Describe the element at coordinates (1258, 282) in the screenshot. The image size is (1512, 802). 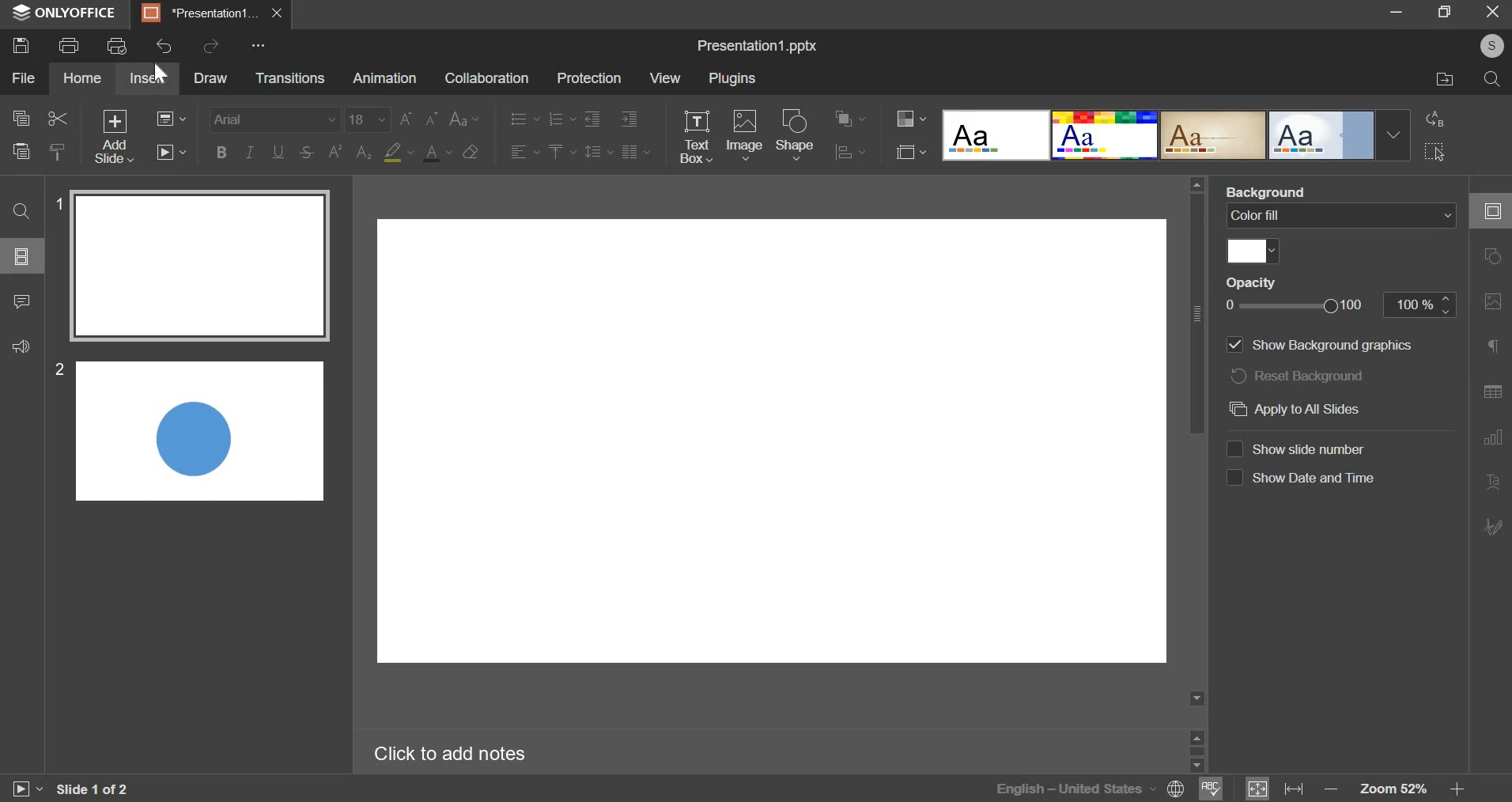
I see `opacity` at that location.